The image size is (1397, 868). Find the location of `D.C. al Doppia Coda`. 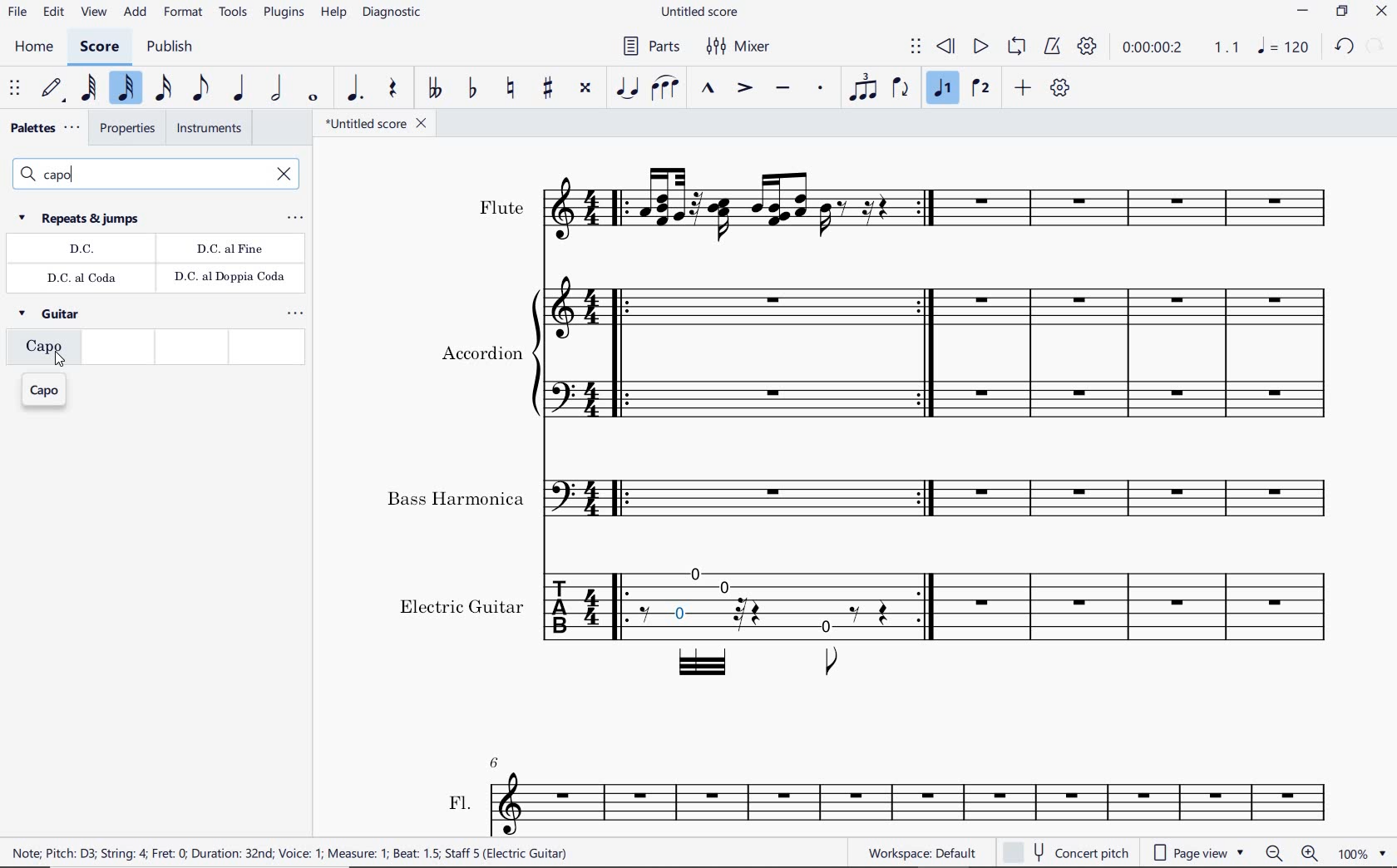

D.C. al Doppia Coda is located at coordinates (229, 279).